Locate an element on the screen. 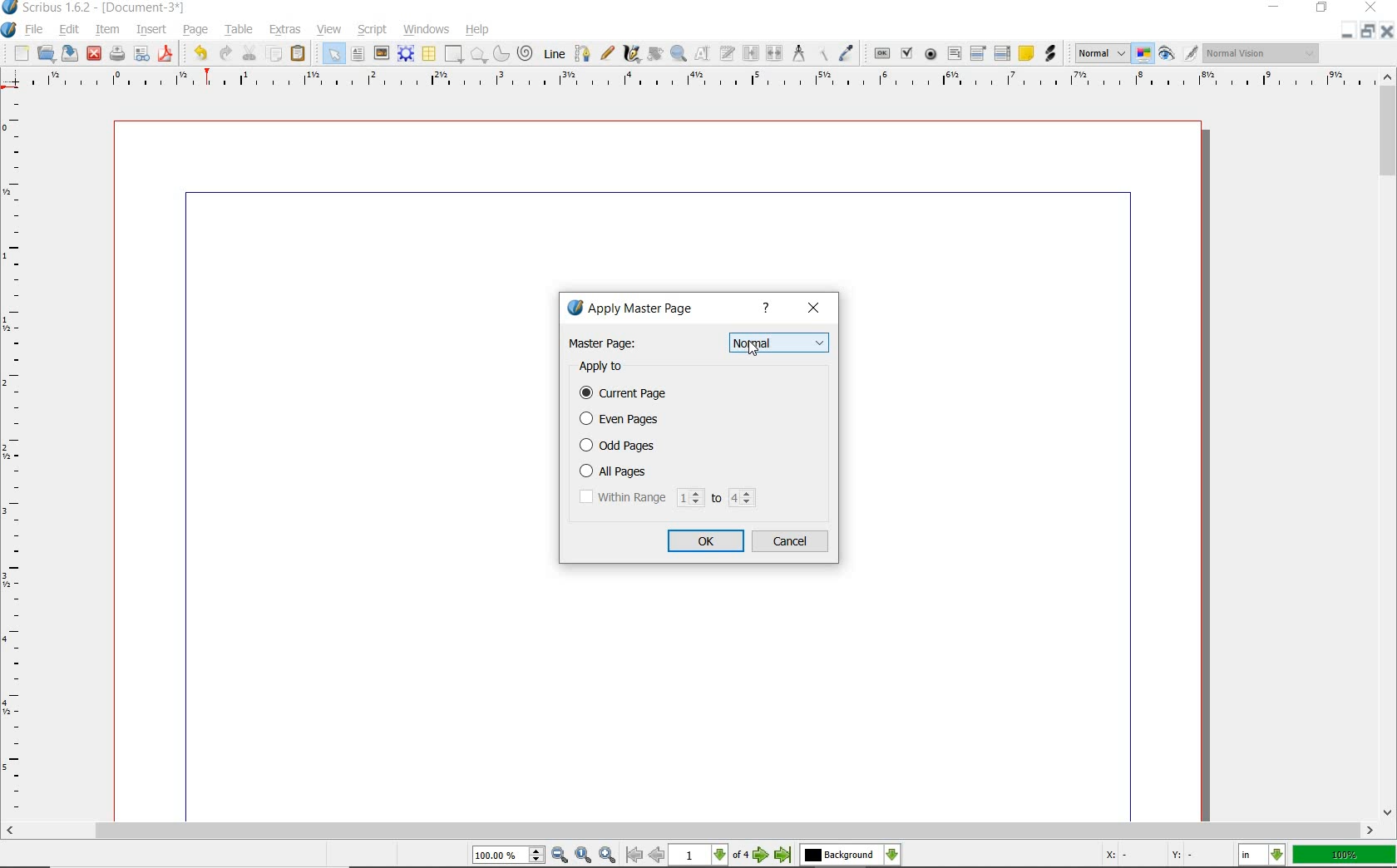  Cursor Coordinates is located at coordinates (1167, 856).